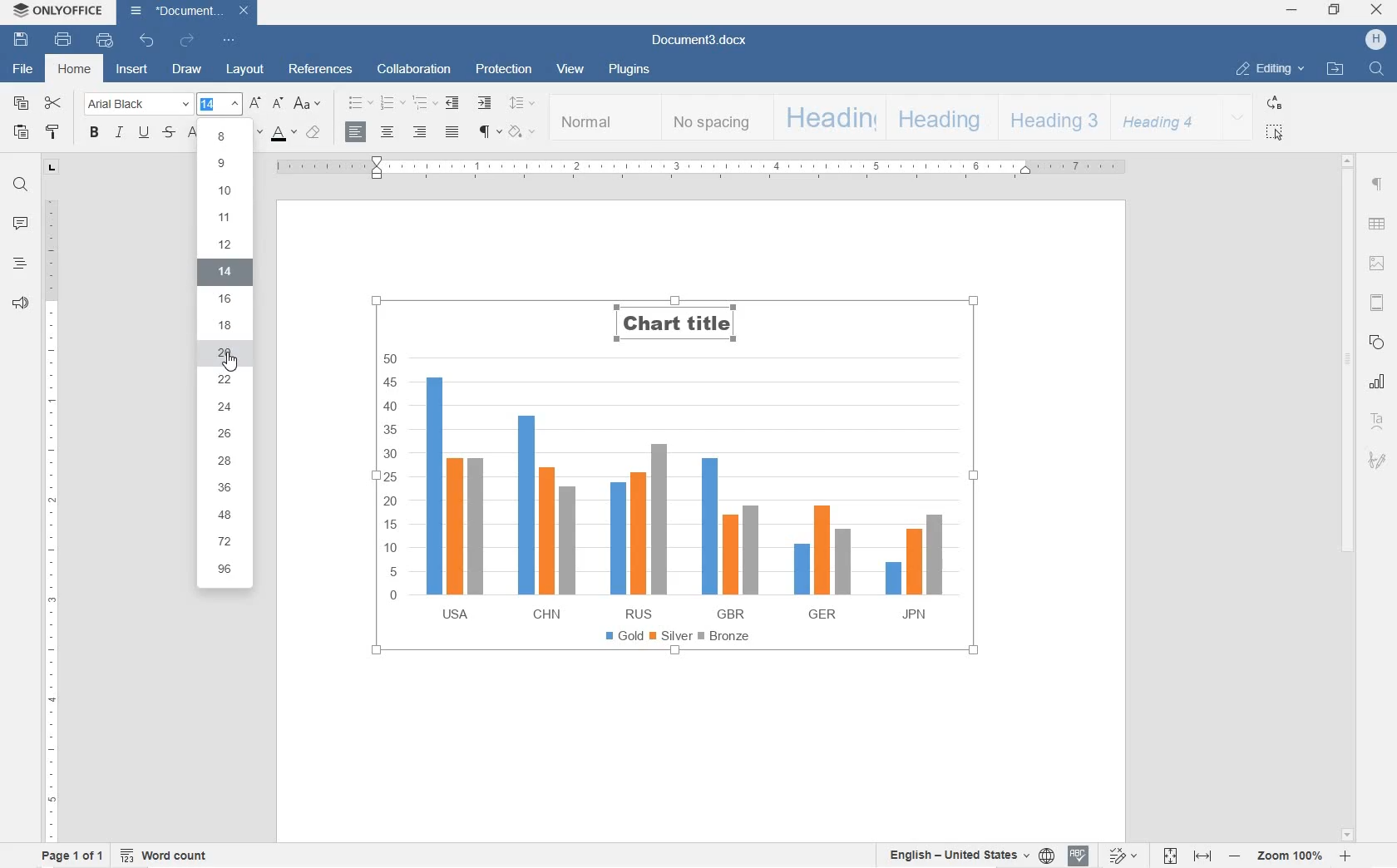  I want to click on VIEW, so click(572, 71).